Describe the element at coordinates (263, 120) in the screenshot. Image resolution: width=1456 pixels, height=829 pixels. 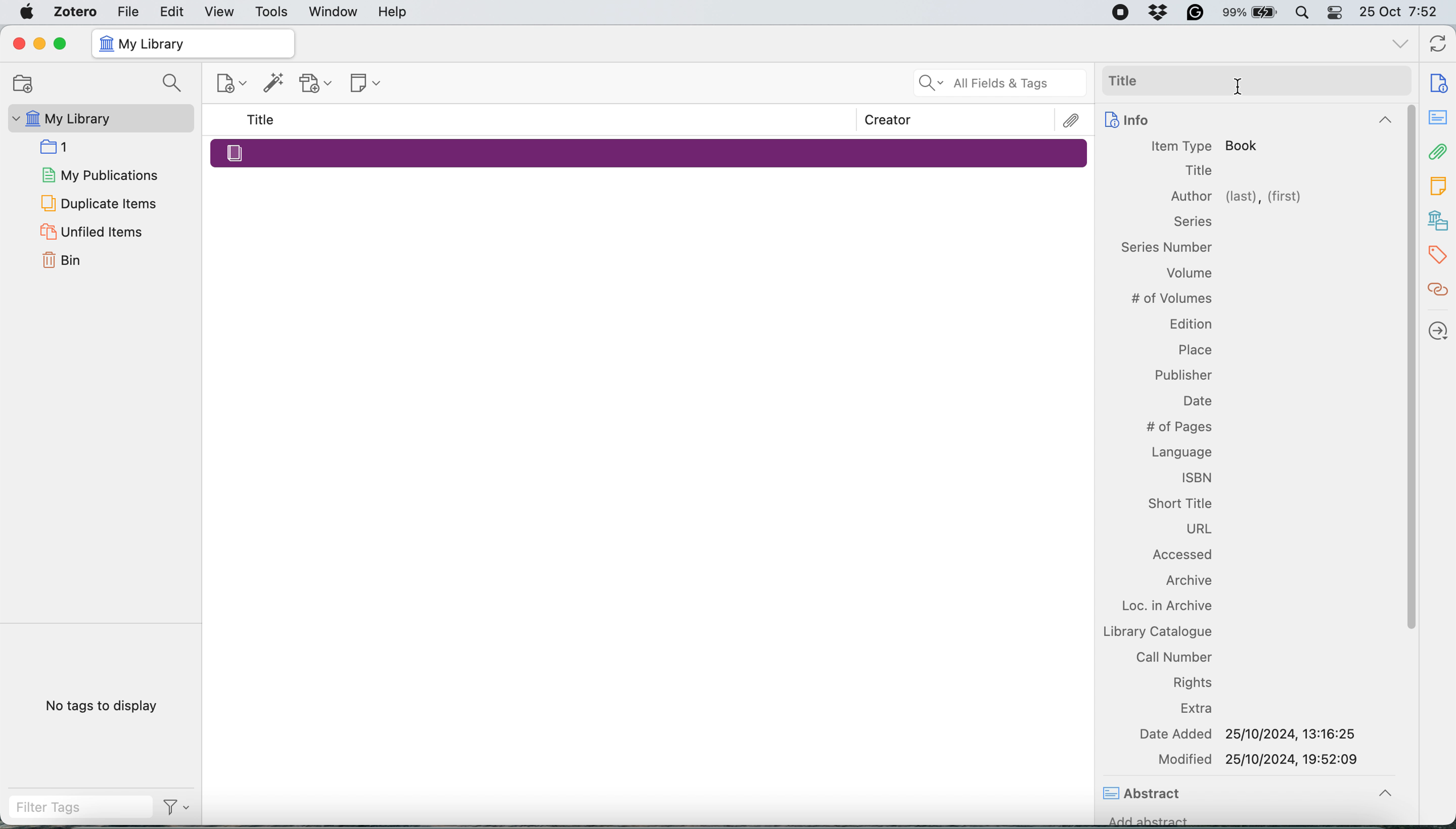
I see `Title` at that location.